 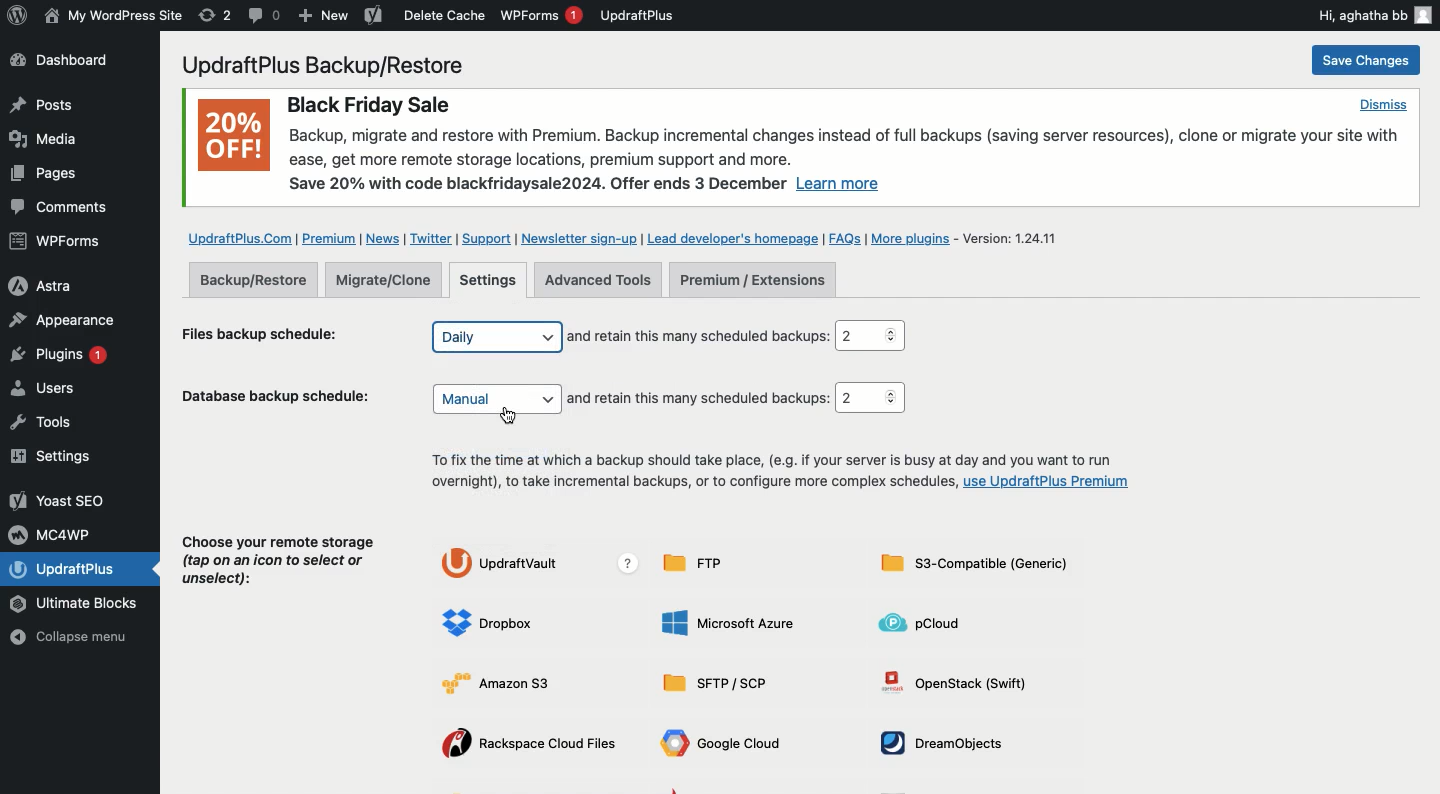 What do you see at coordinates (280, 400) in the screenshot?
I see `Database backup schedule` at bounding box center [280, 400].